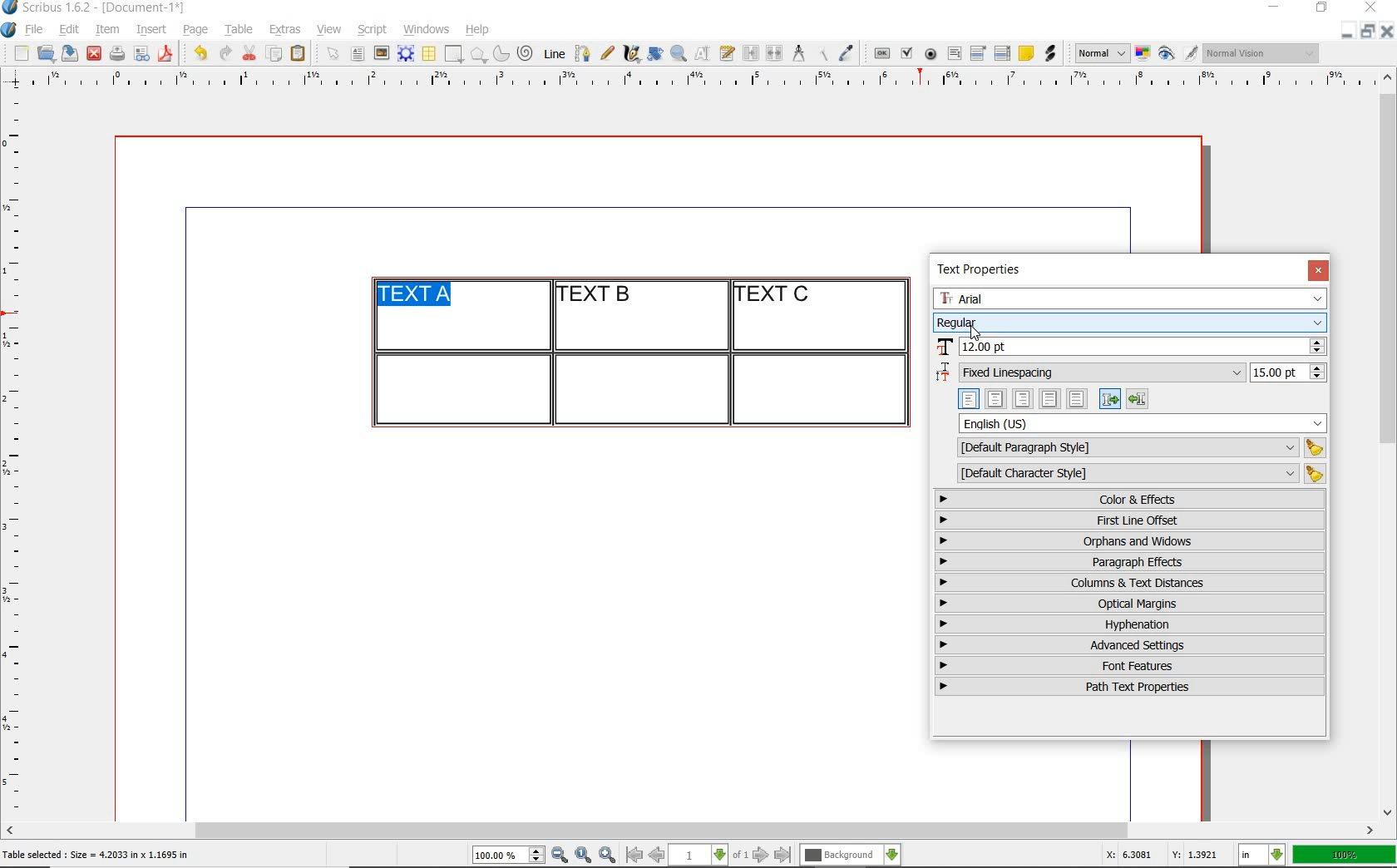 The image size is (1397, 868). What do you see at coordinates (882, 54) in the screenshot?
I see `pdf push button` at bounding box center [882, 54].